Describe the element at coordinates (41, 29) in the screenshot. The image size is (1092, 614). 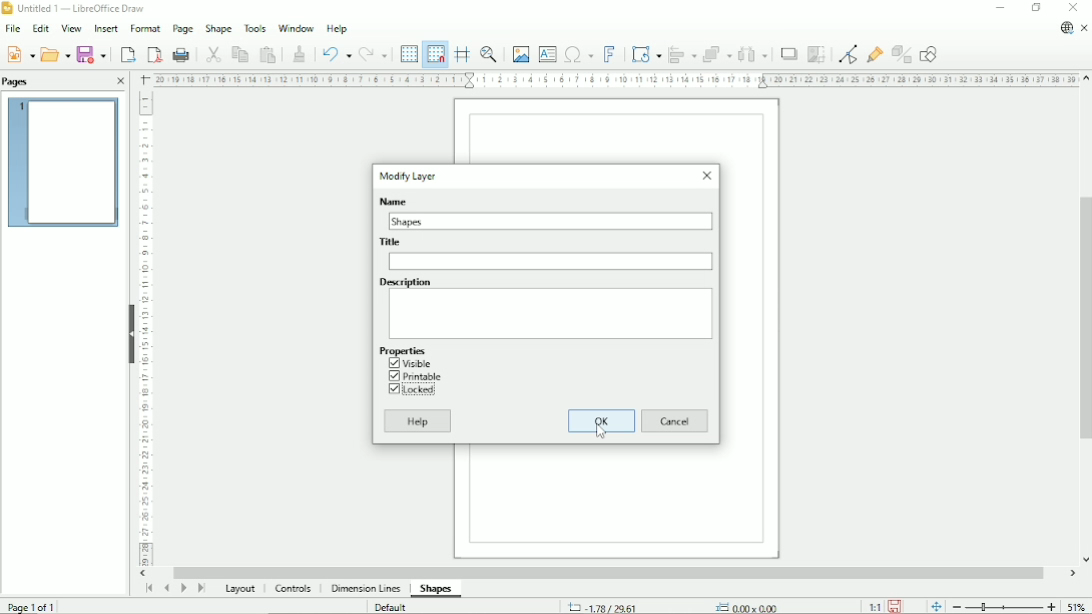
I see `Edit` at that location.